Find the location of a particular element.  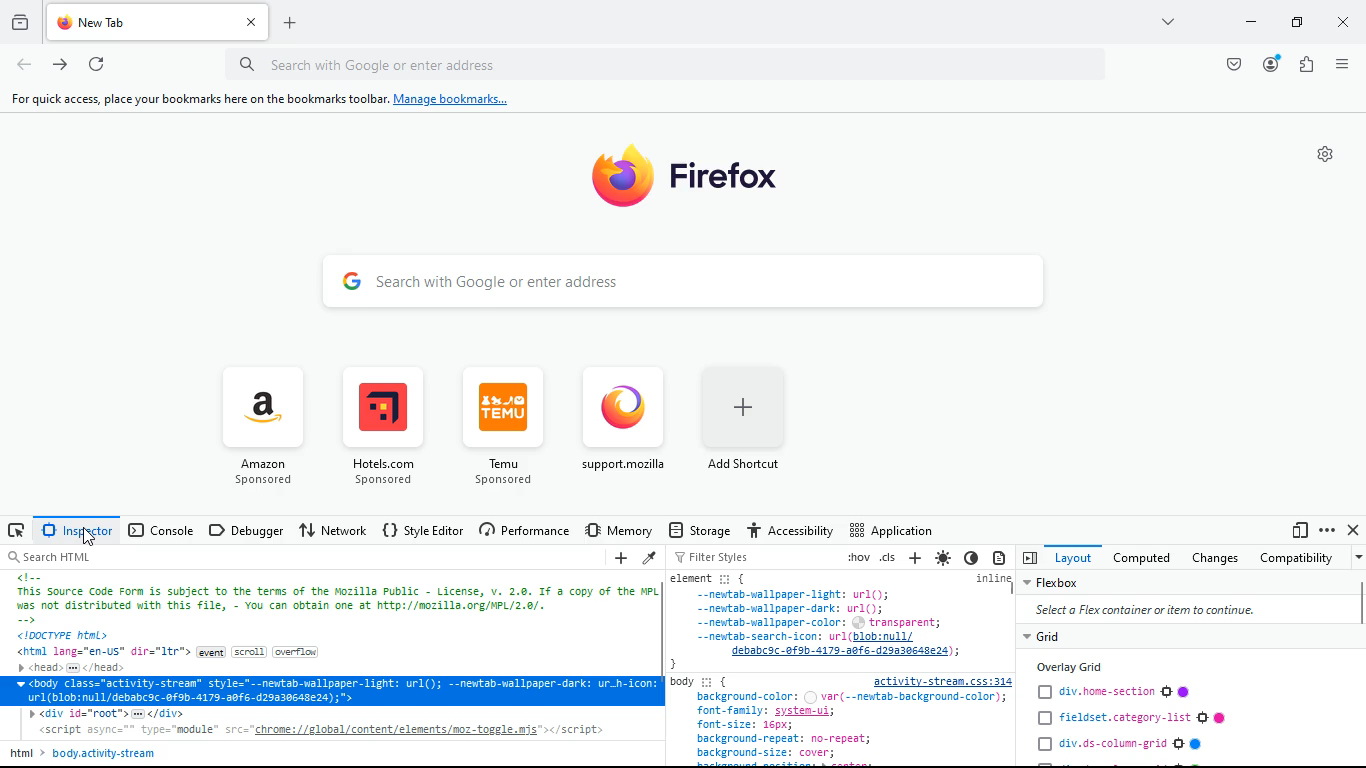

html > body.activity-stream is located at coordinates (85, 753).